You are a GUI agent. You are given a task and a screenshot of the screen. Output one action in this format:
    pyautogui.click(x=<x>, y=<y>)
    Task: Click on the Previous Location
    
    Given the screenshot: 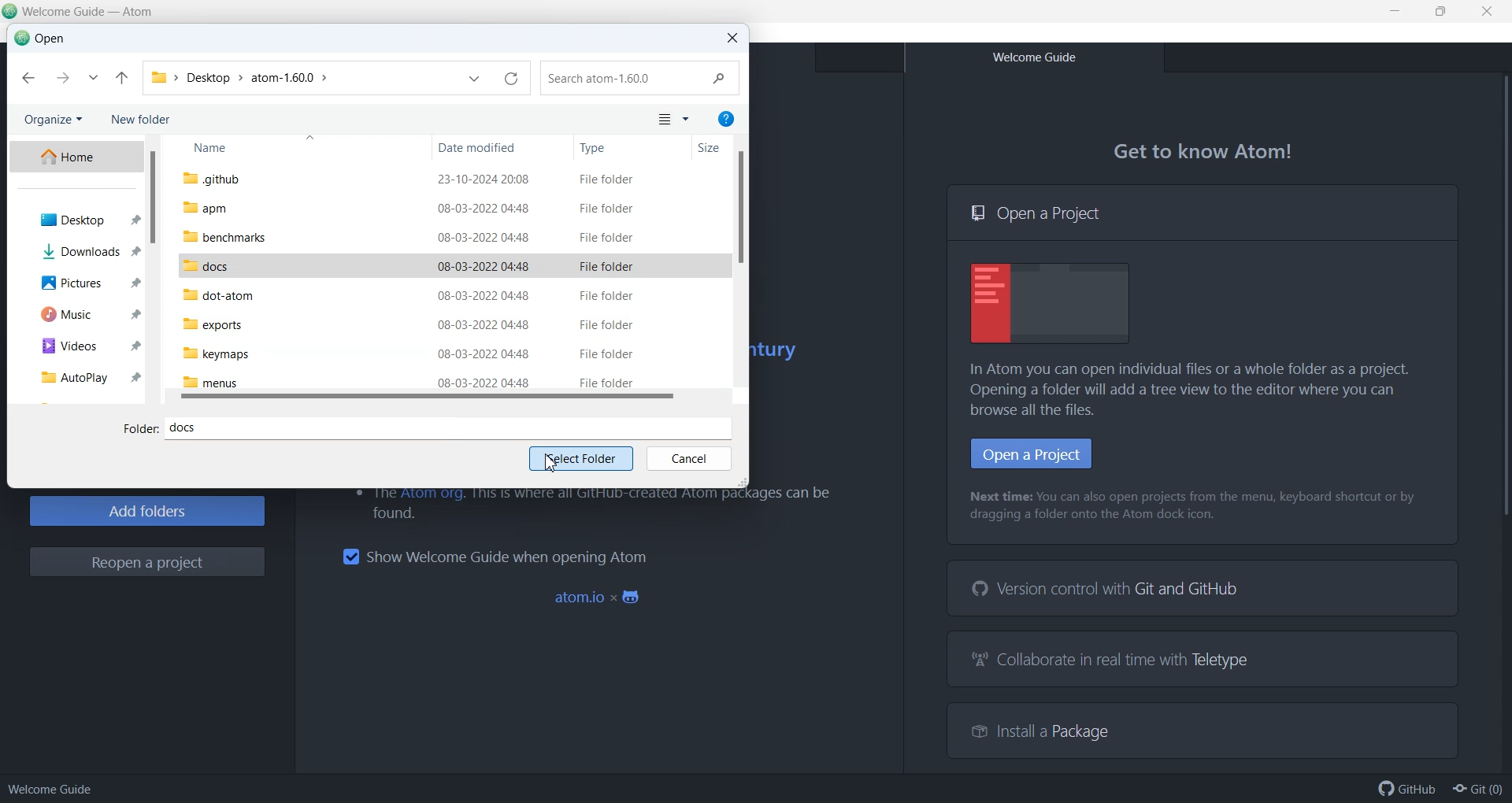 What is the action you would take?
    pyautogui.click(x=475, y=80)
    